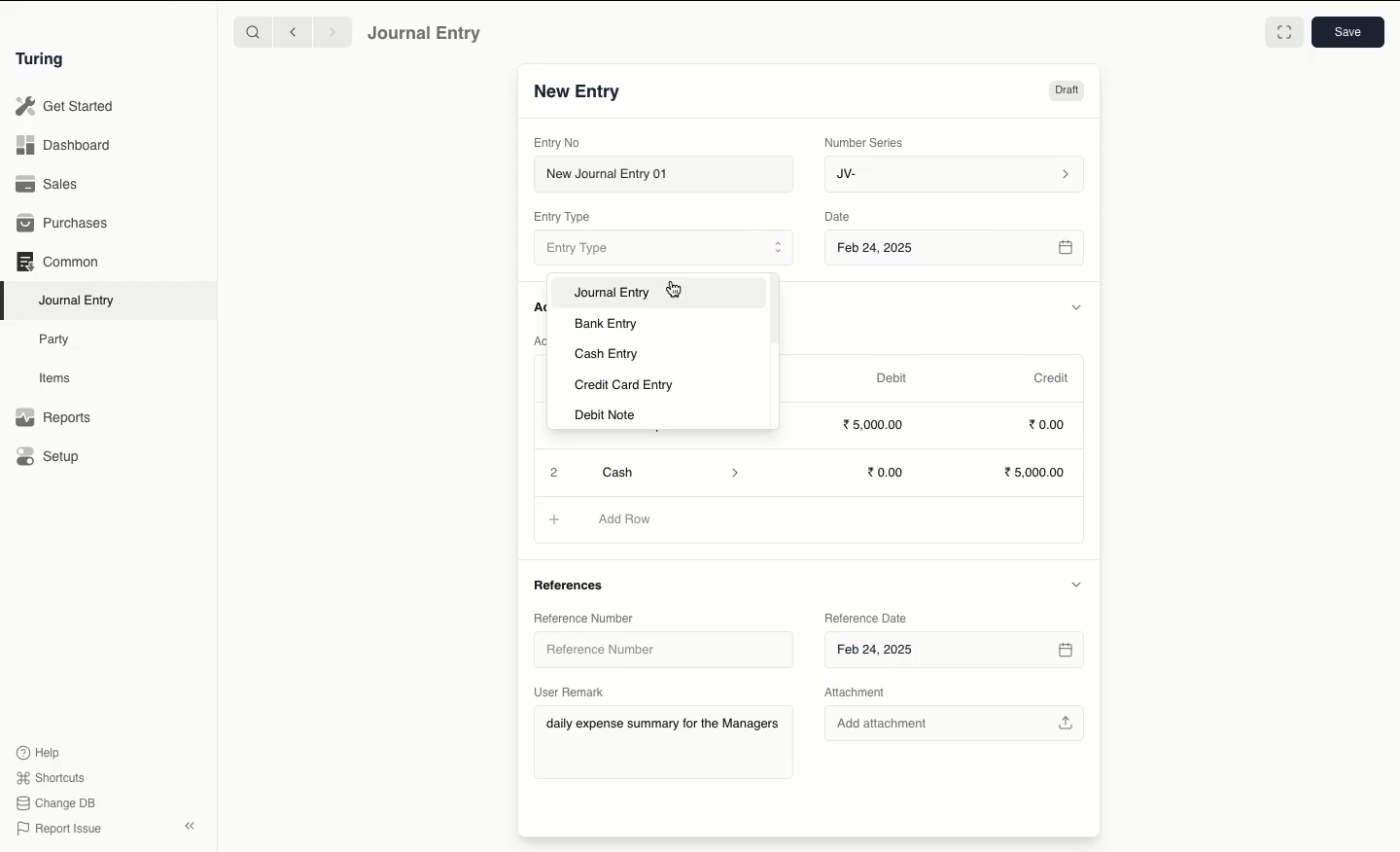  Describe the element at coordinates (1067, 90) in the screenshot. I see `Draft` at that location.